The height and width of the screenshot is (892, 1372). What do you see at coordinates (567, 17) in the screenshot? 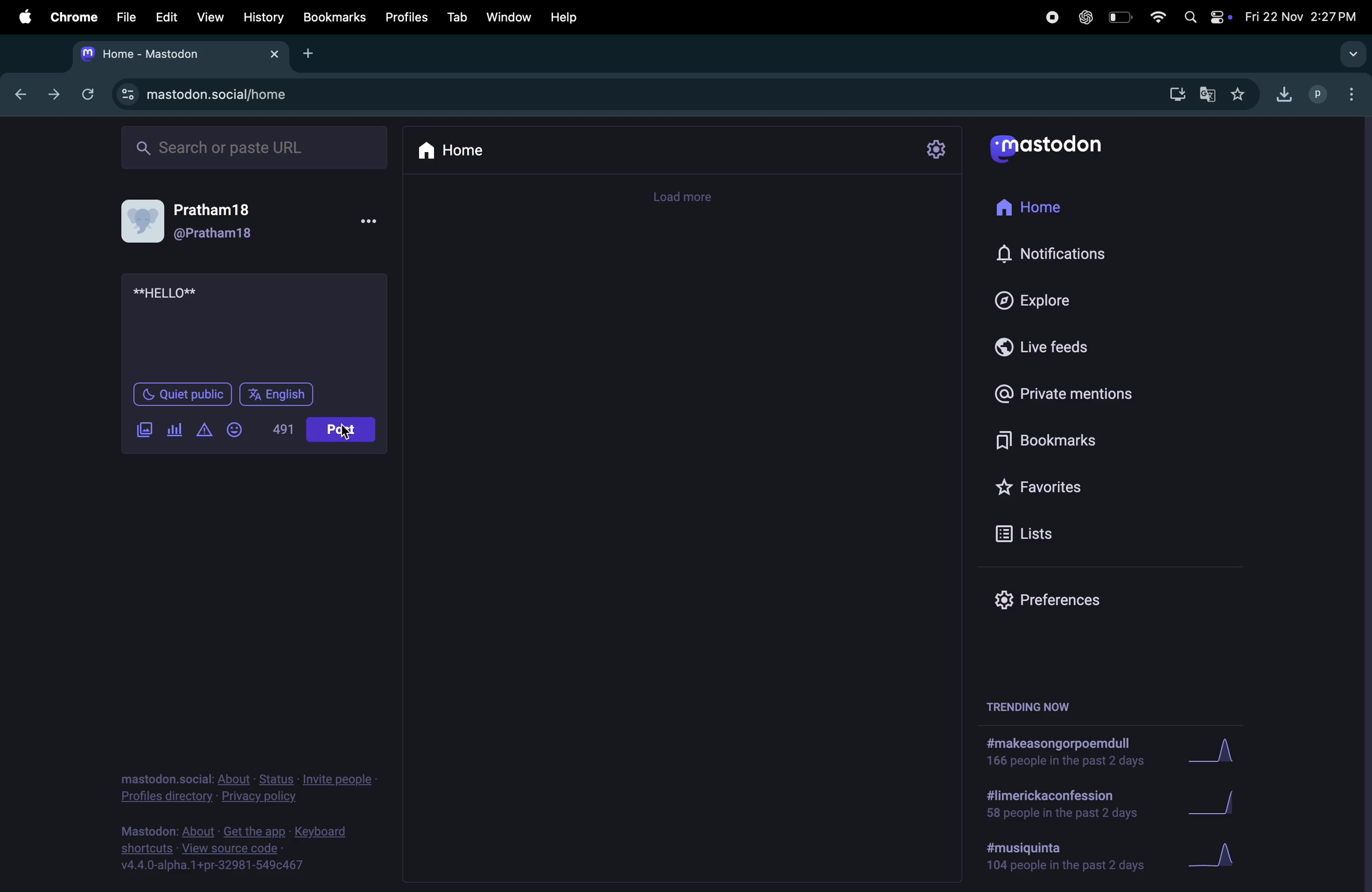
I see `help` at bounding box center [567, 17].